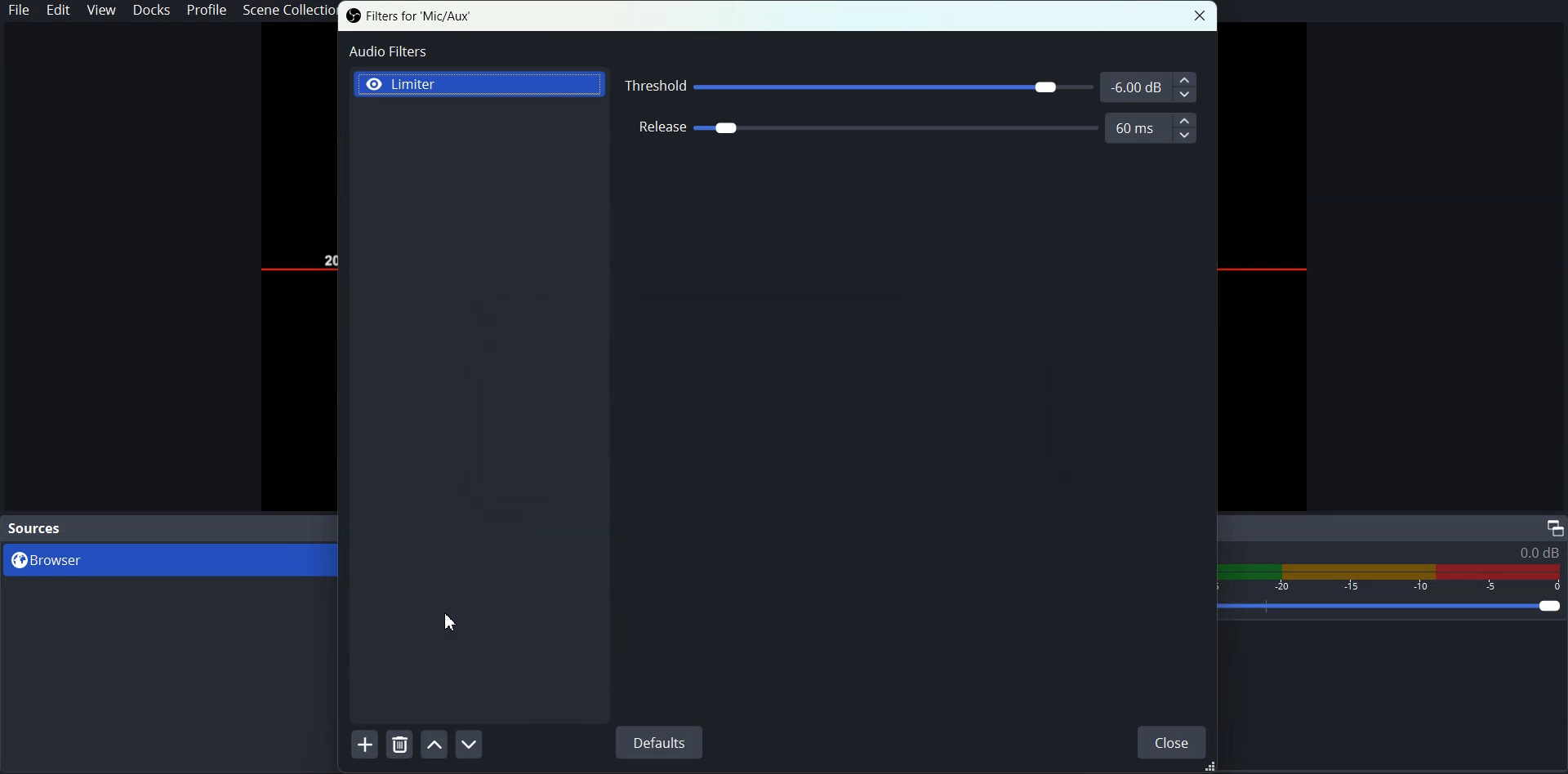 The width and height of the screenshot is (1568, 774). I want to click on Move Filter Up, so click(435, 743).